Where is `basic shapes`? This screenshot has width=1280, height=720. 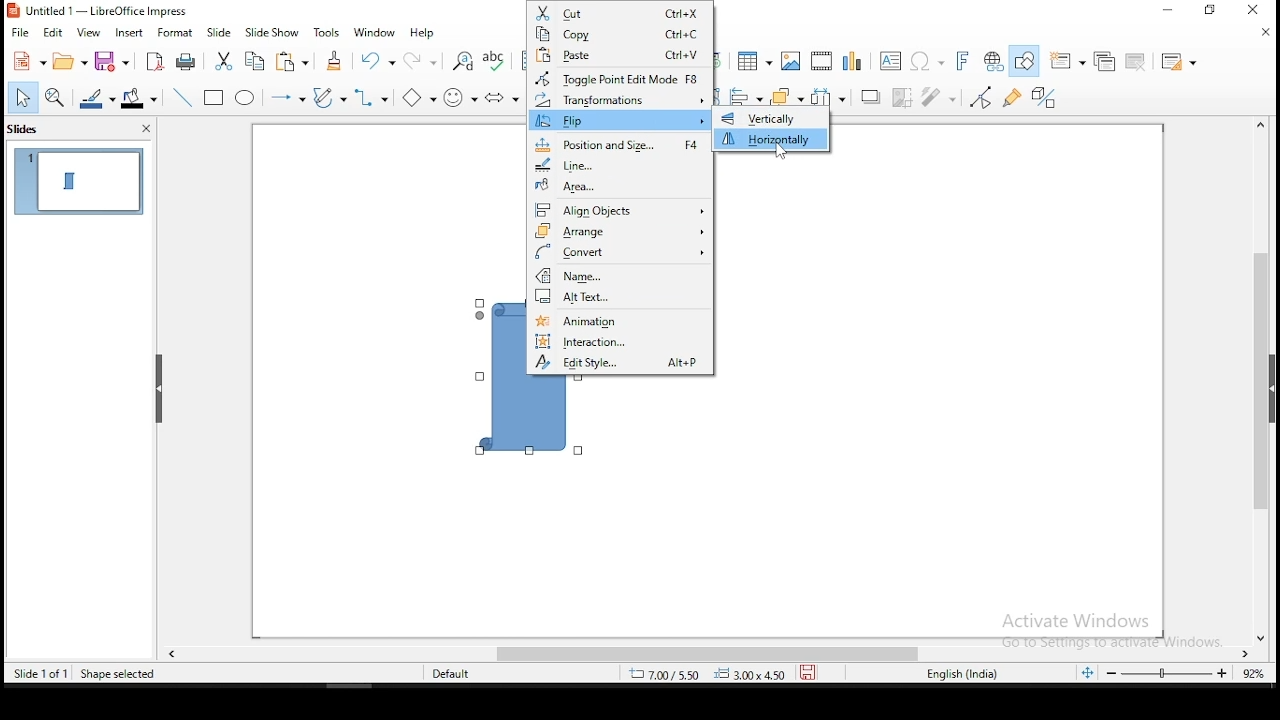 basic shapes is located at coordinates (420, 98).